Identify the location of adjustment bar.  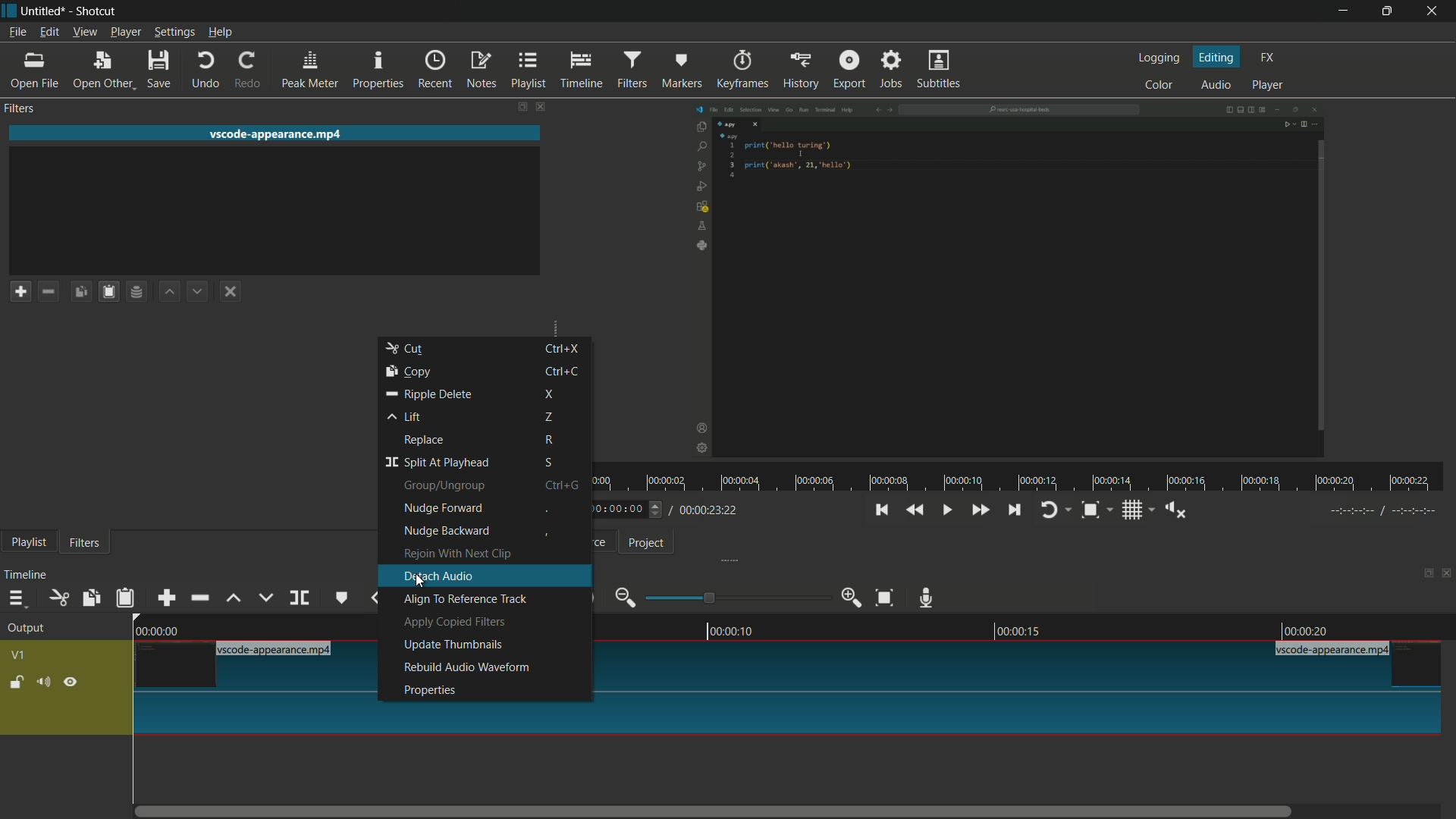
(736, 597).